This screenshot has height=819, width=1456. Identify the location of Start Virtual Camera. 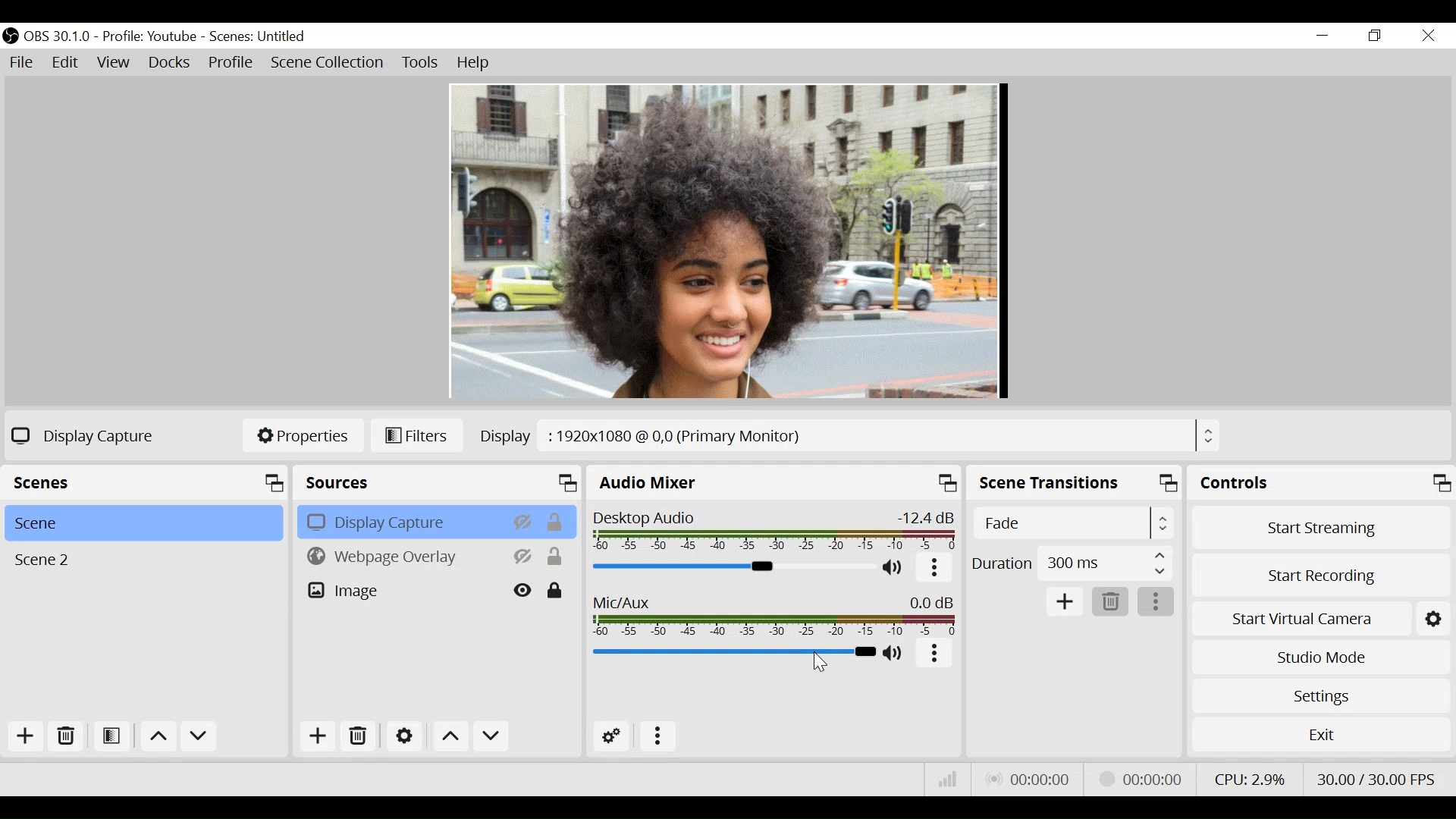
(1303, 619).